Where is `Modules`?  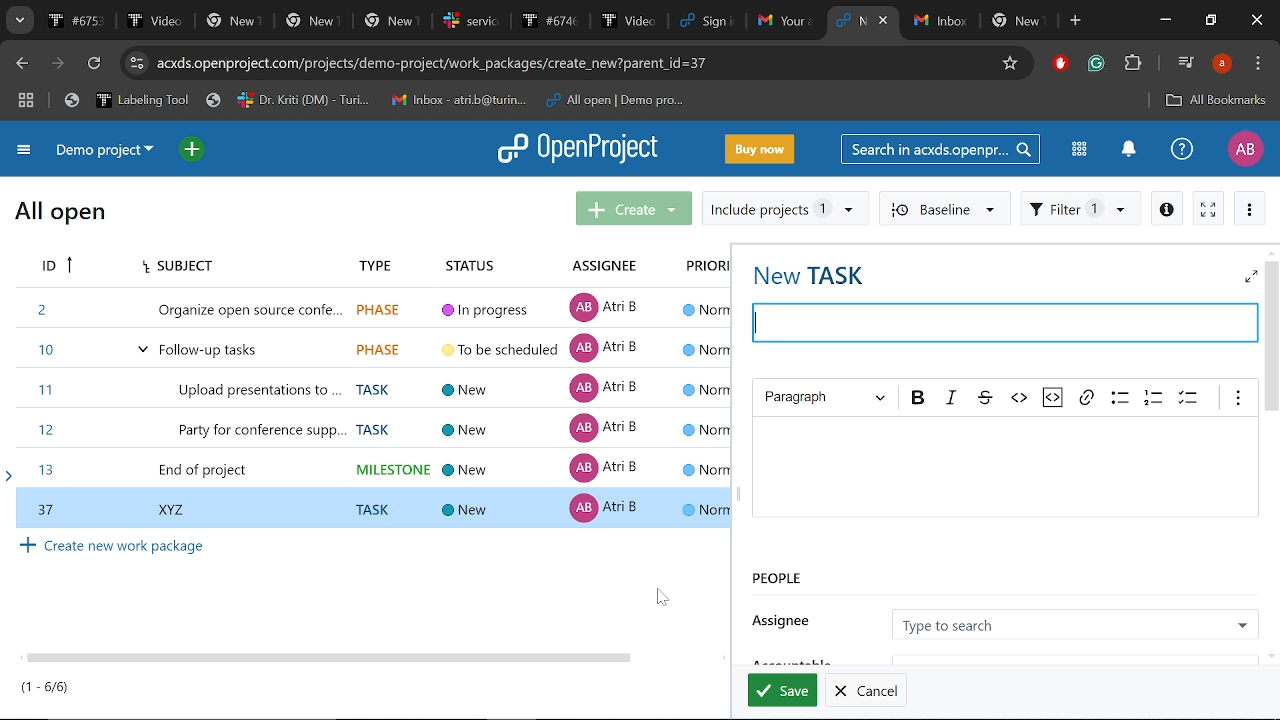
Modules is located at coordinates (1079, 149).